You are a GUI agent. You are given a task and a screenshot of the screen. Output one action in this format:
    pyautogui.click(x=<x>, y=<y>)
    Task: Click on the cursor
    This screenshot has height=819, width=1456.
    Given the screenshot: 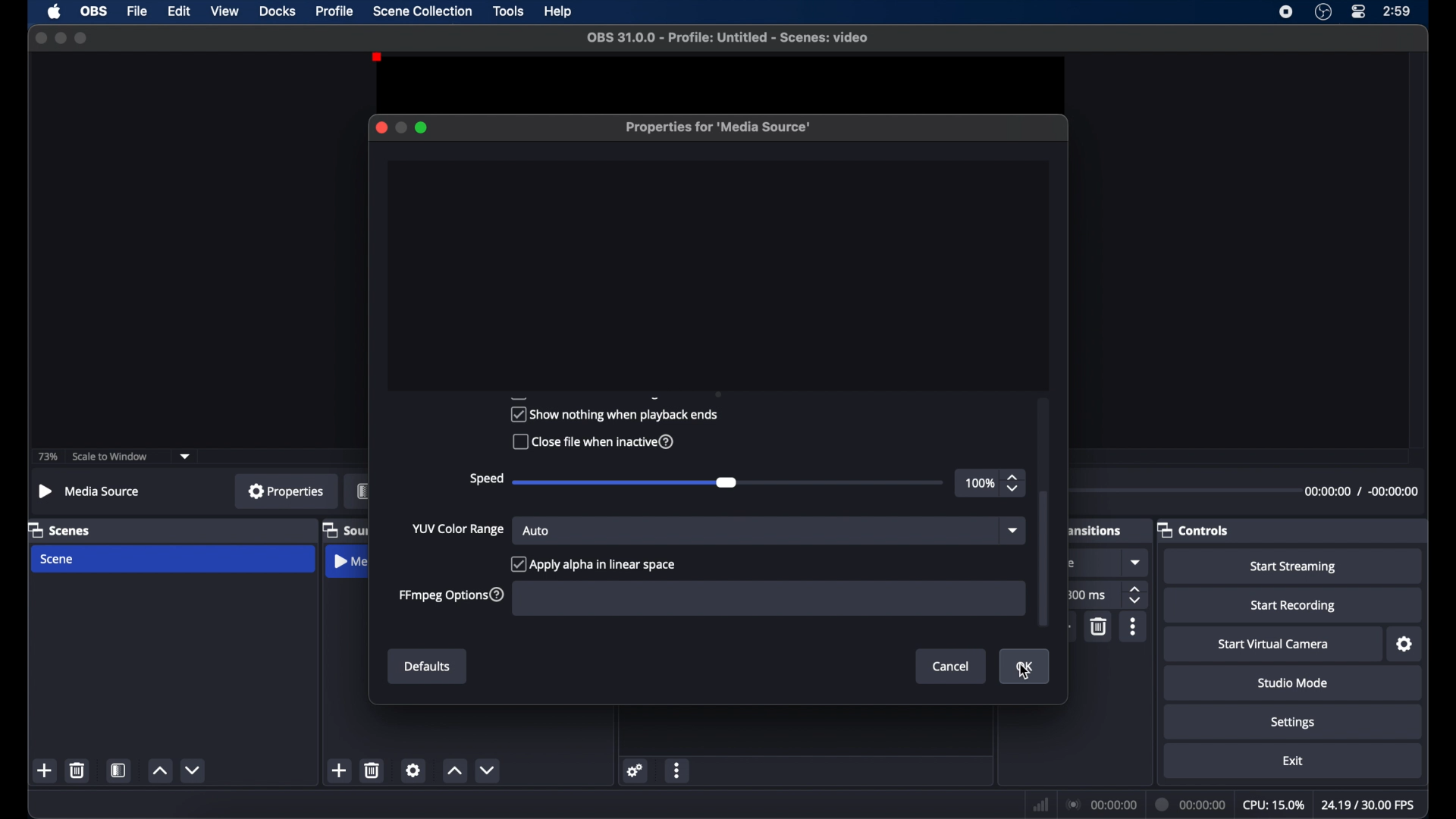 What is the action you would take?
    pyautogui.click(x=1027, y=672)
    